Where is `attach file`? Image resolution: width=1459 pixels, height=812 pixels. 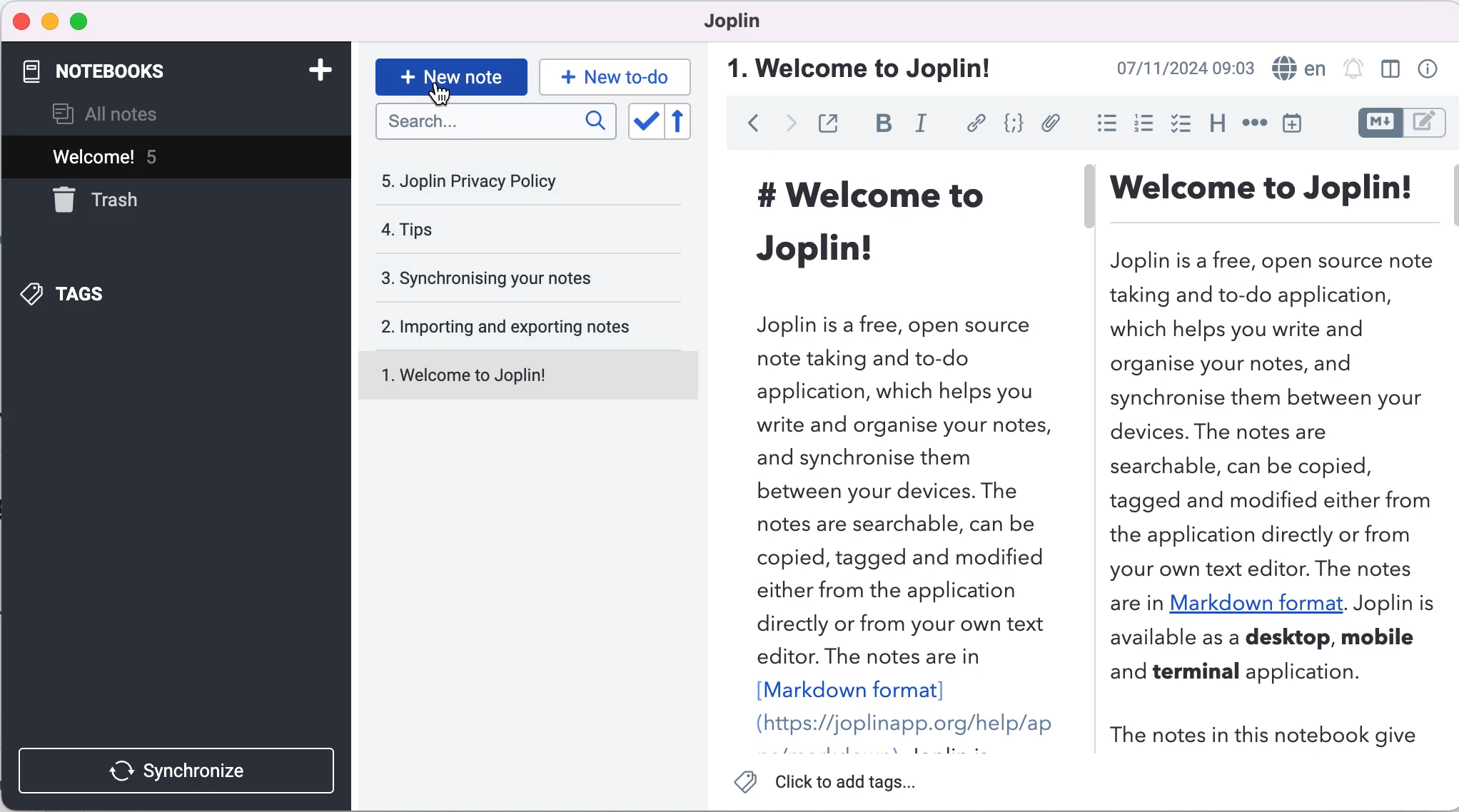
attach file is located at coordinates (1052, 125).